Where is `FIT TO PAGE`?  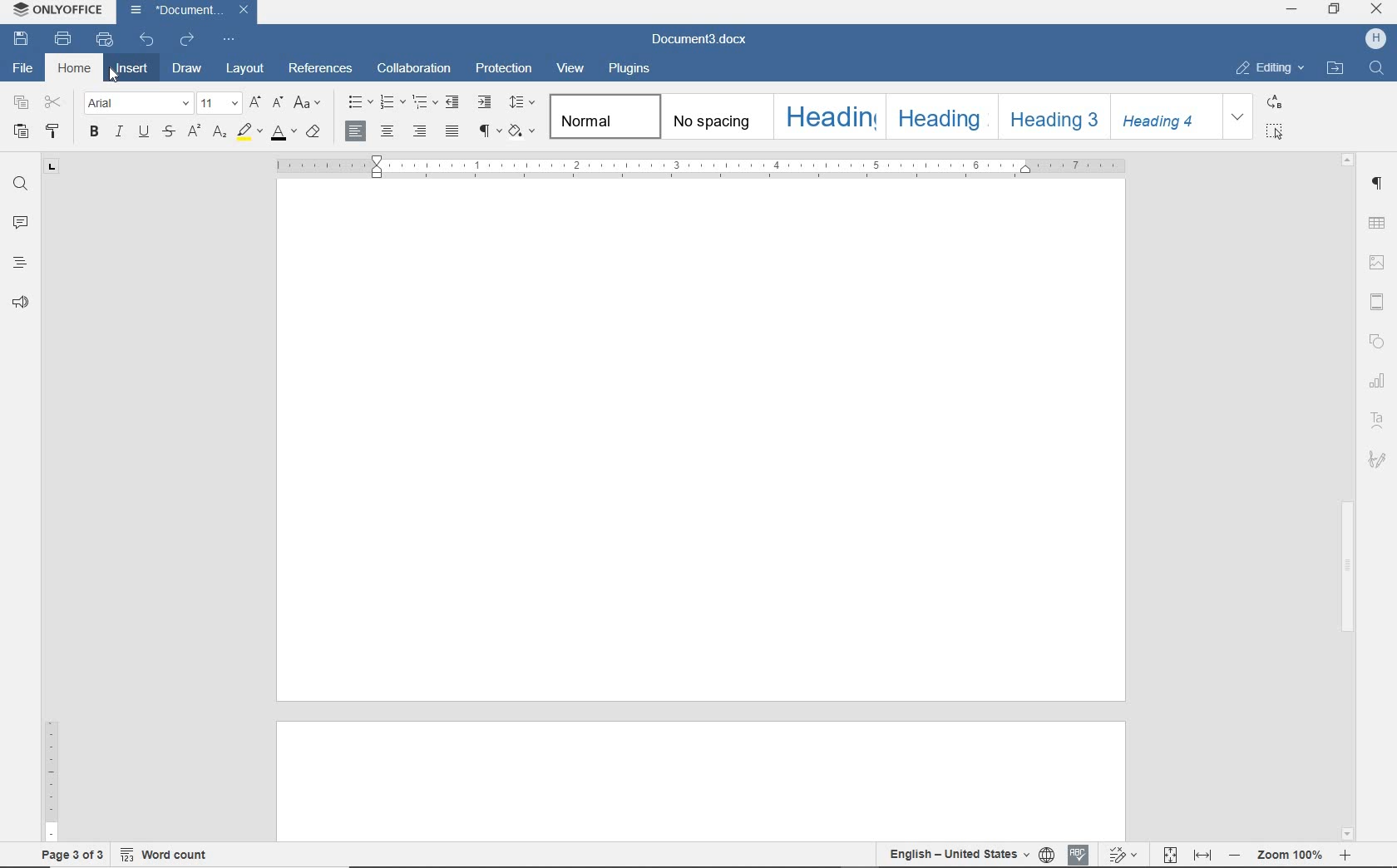
FIT TO PAGE is located at coordinates (1169, 854).